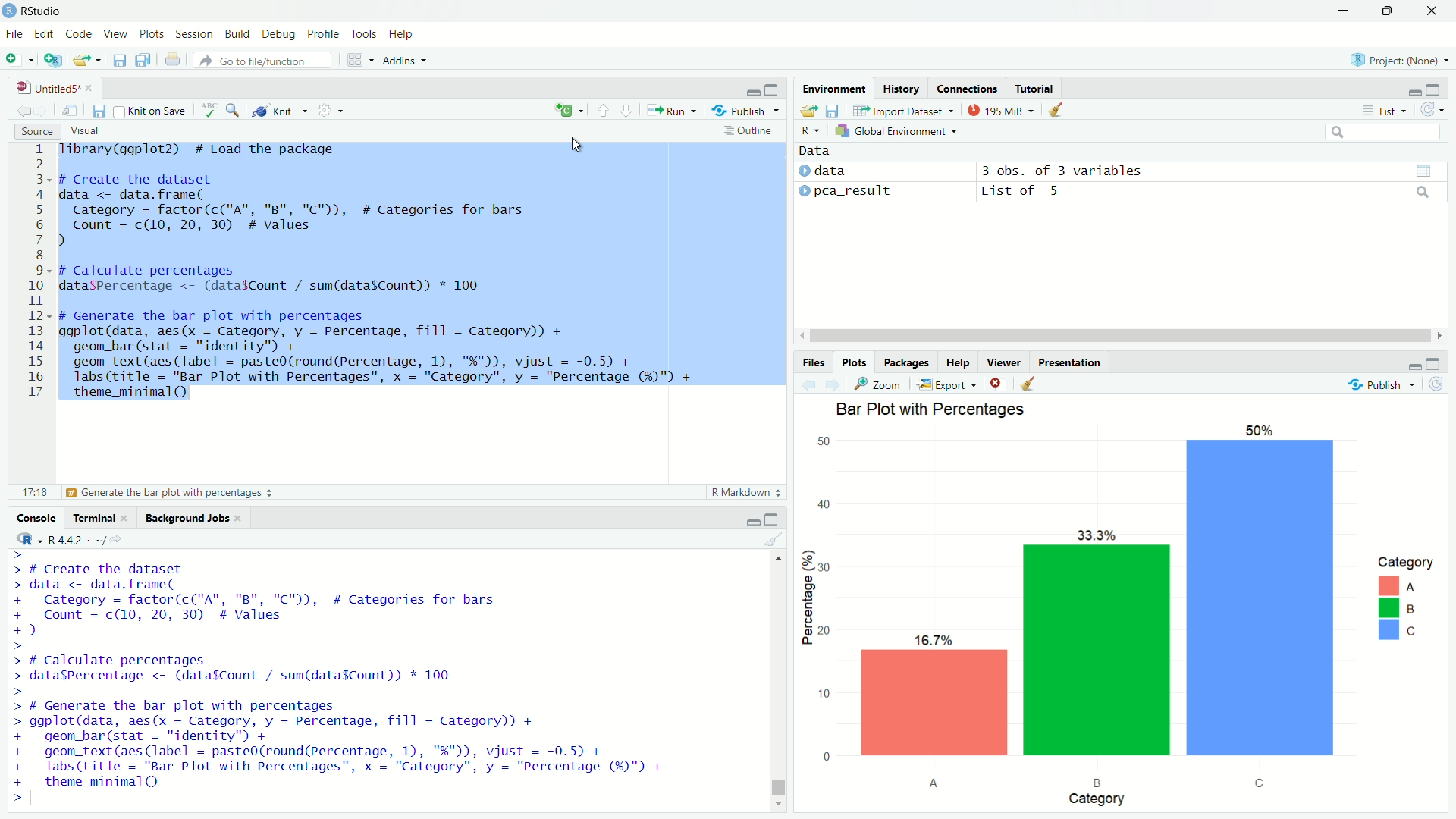 The height and width of the screenshot is (819, 1456). Describe the element at coordinates (901, 89) in the screenshot. I see `history` at that location.